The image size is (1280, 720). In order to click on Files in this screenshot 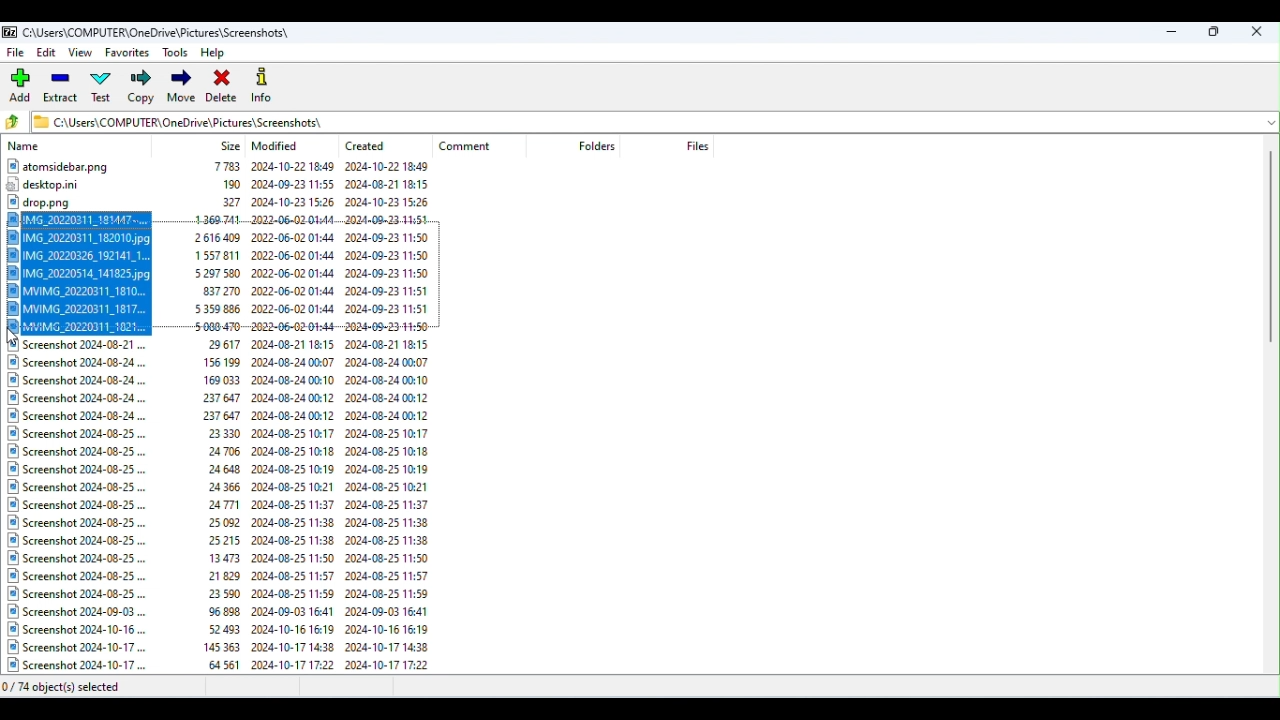, I will do `click(697, 145)`.